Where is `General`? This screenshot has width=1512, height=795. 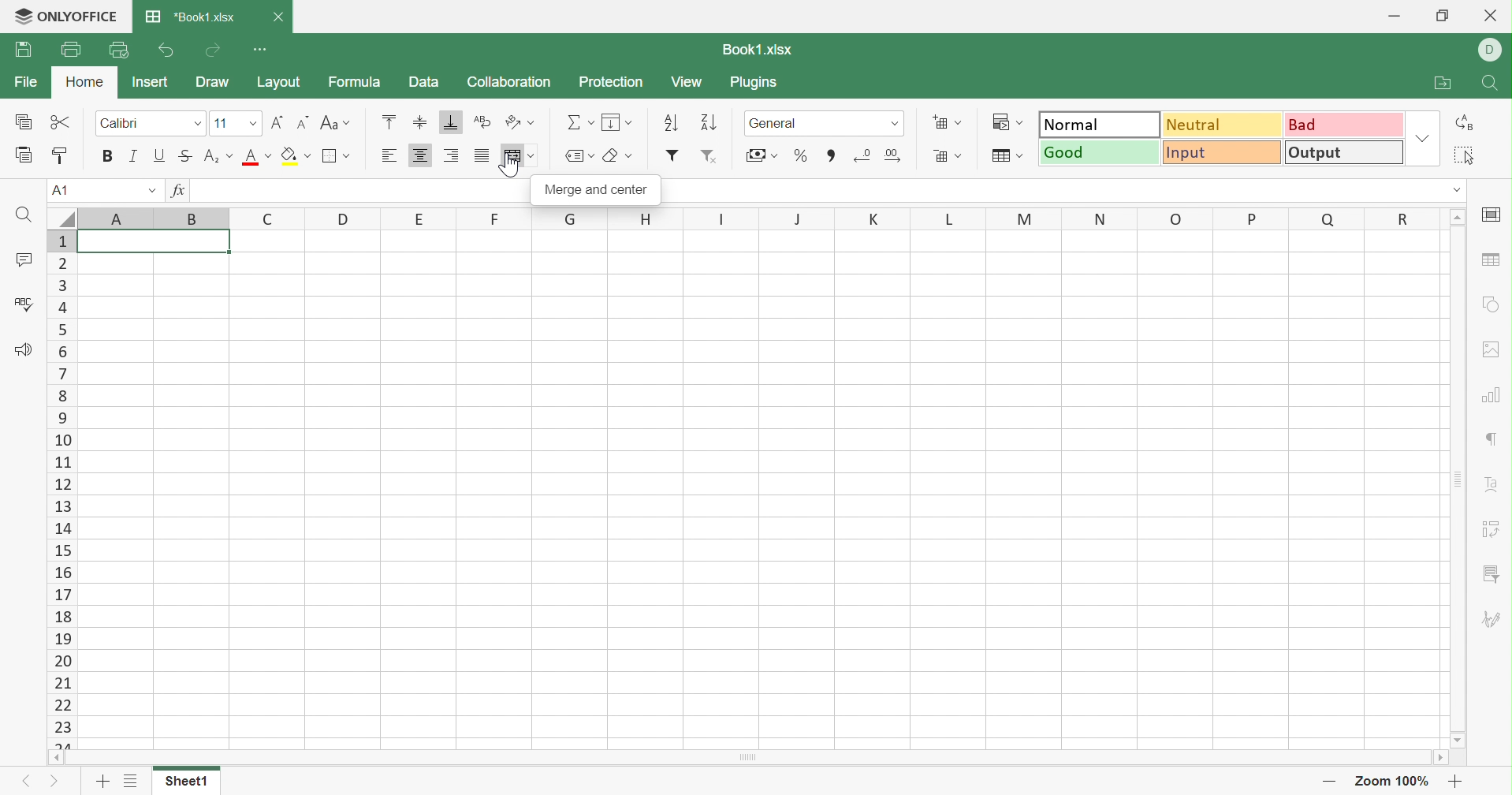 General is located at coordinates (777, 124).